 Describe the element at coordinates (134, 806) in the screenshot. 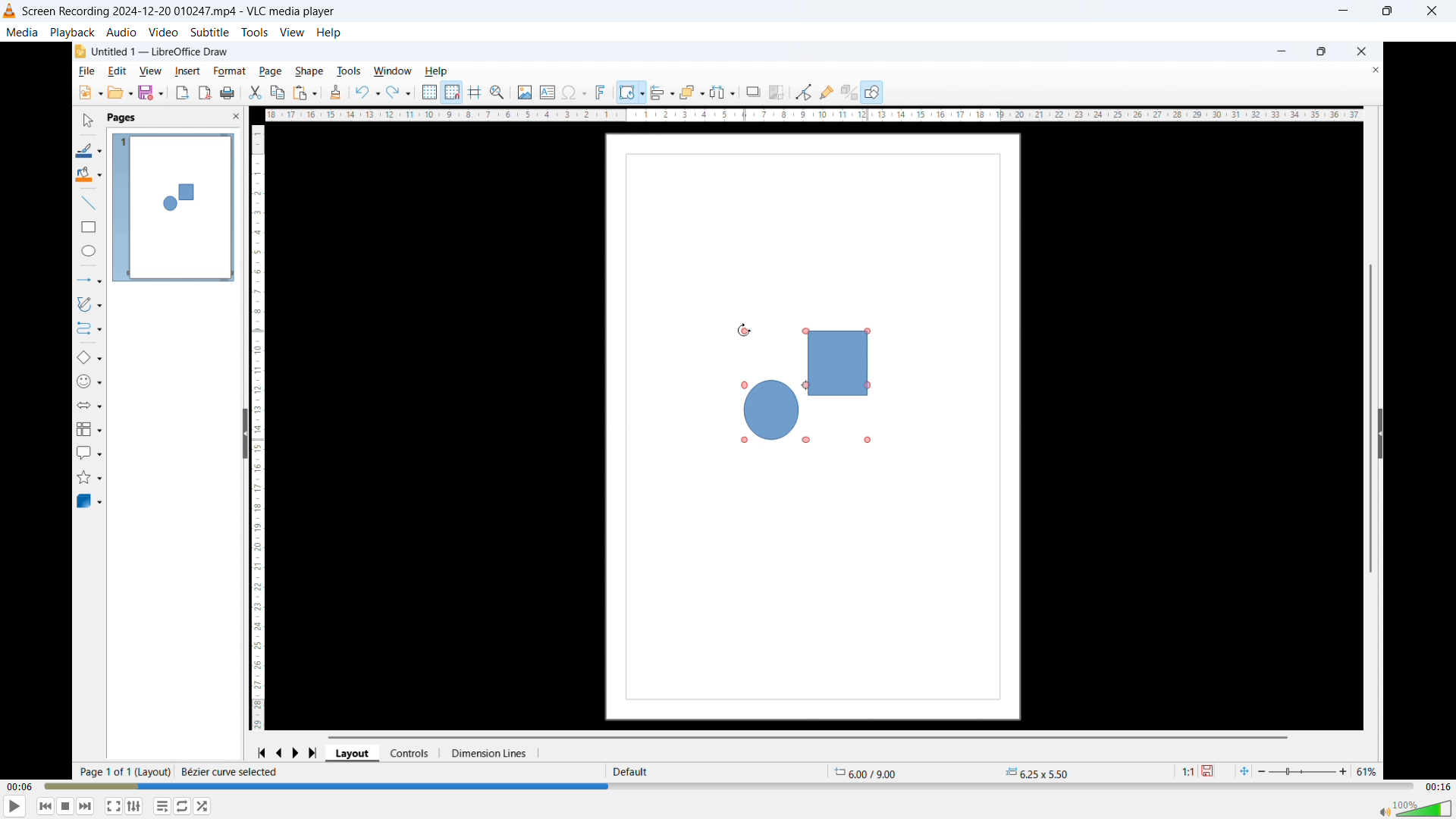

I see `Toggle playlist ` at that location.